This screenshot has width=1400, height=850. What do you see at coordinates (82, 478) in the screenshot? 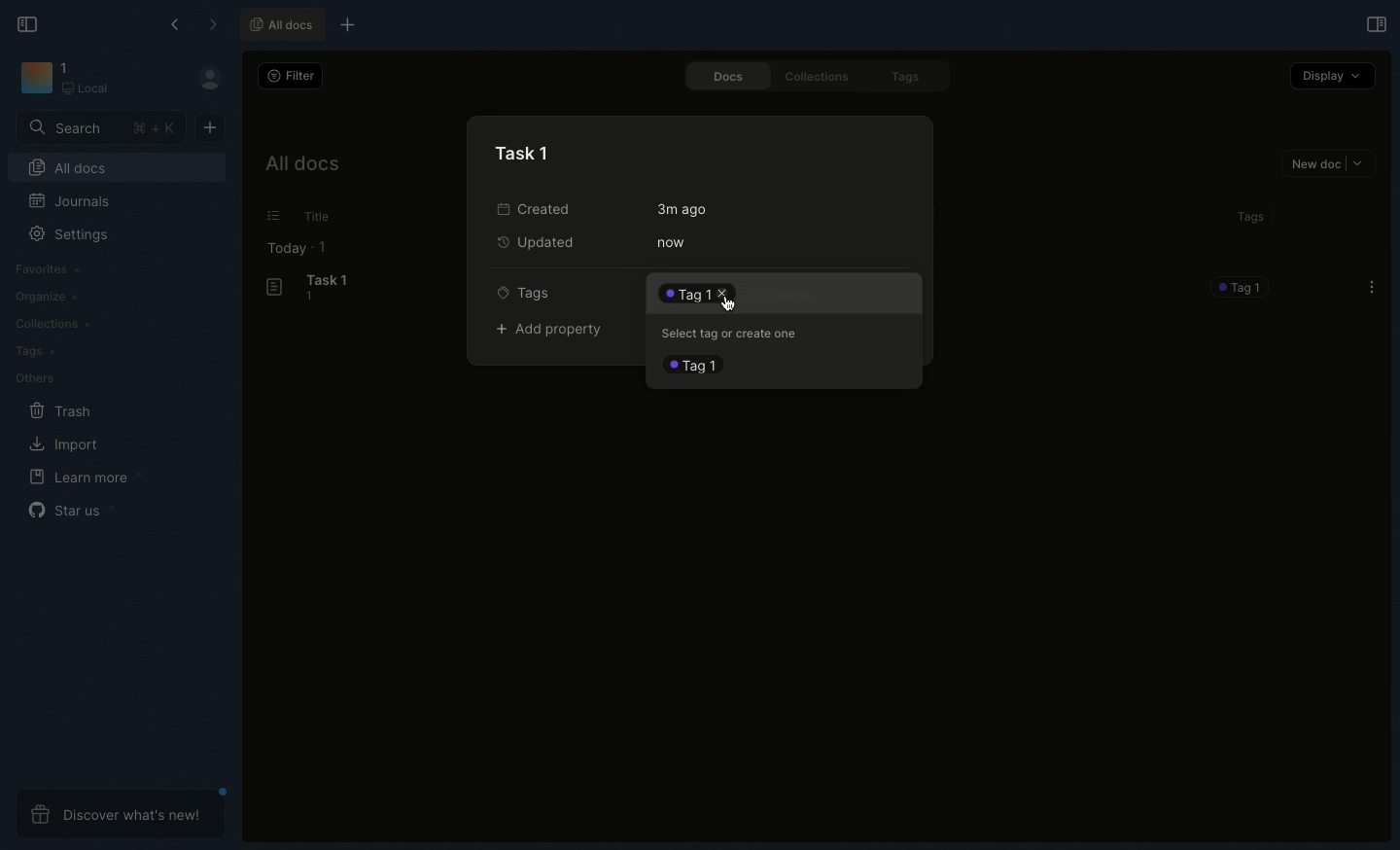
I see `Learn more` at bounding box center [82, 478].